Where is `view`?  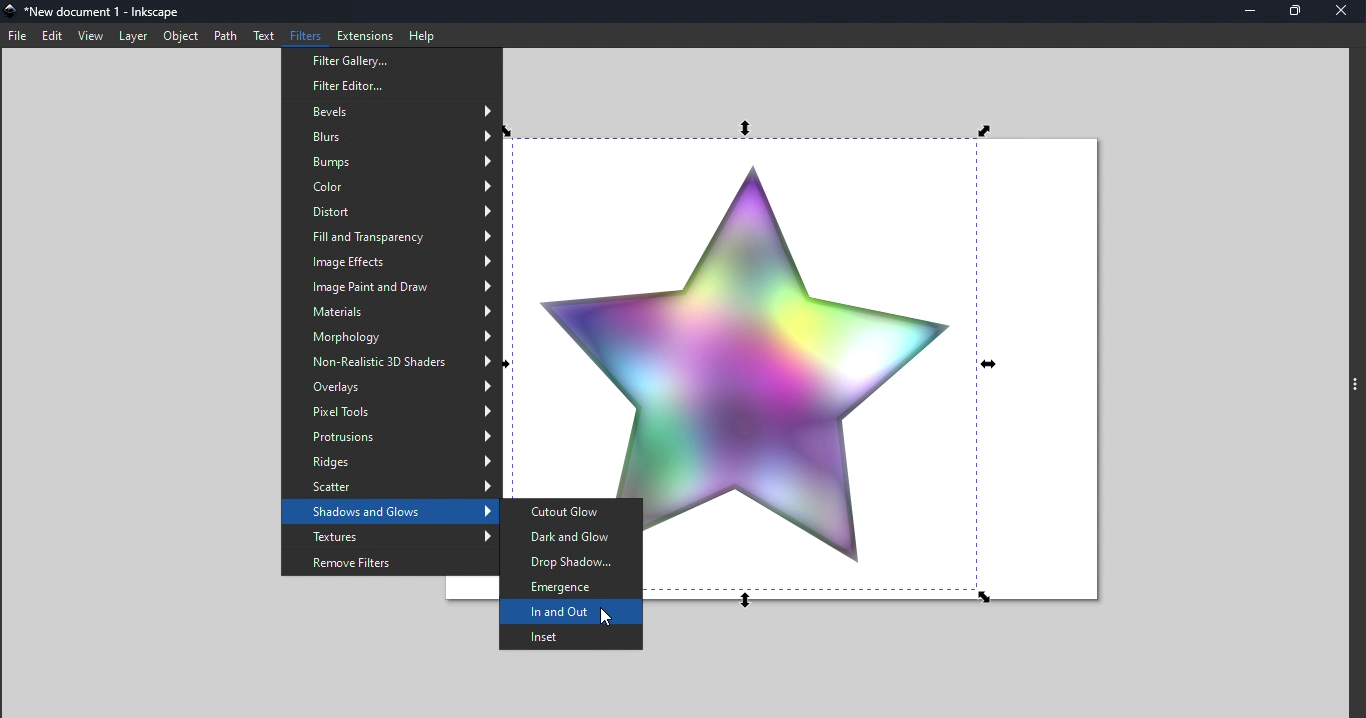 view is located at coordinates (89, 35).